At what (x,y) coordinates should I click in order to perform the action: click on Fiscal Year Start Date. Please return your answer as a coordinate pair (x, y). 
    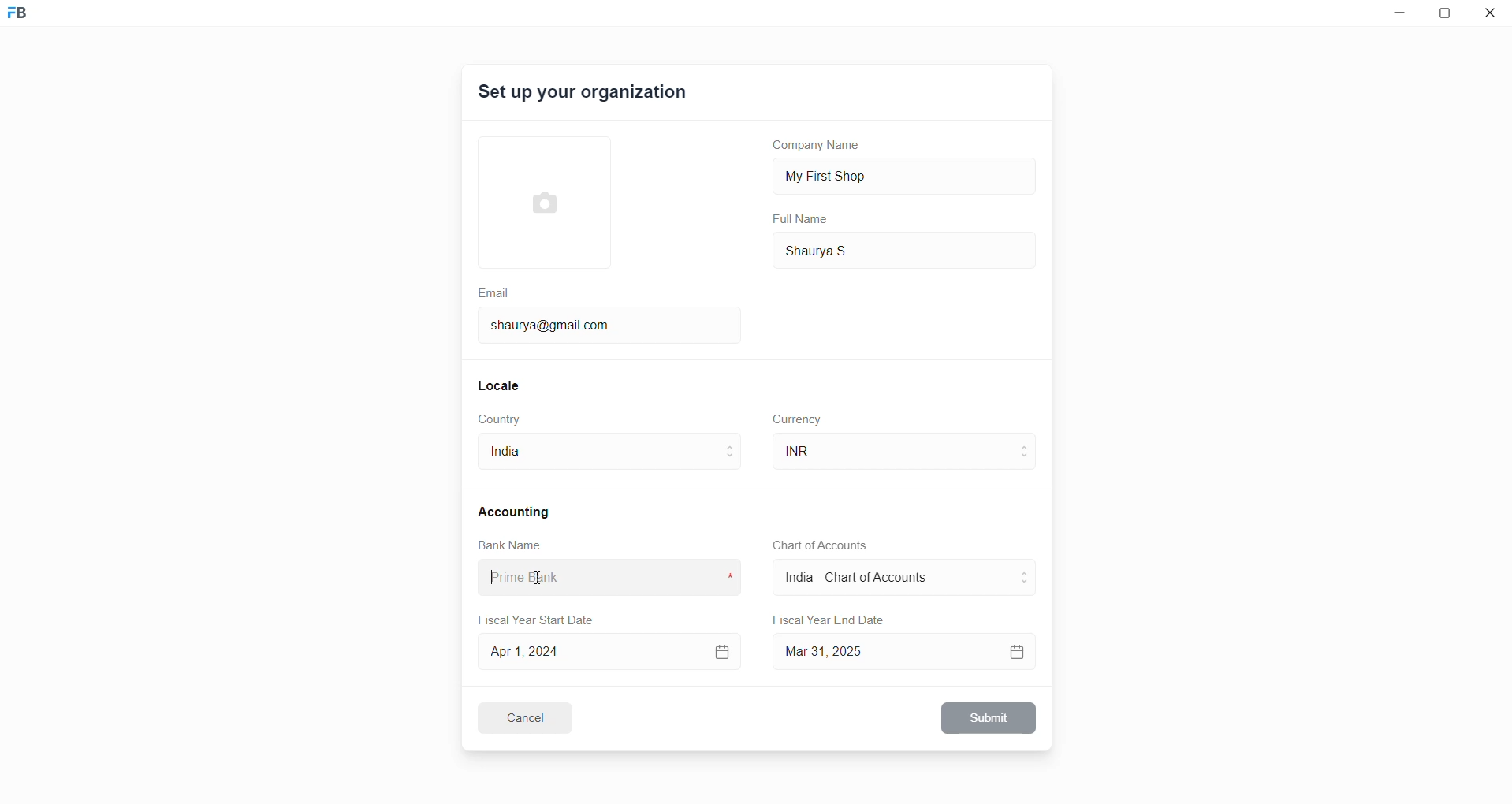
    Looking at the image, I should click on (542, 617).